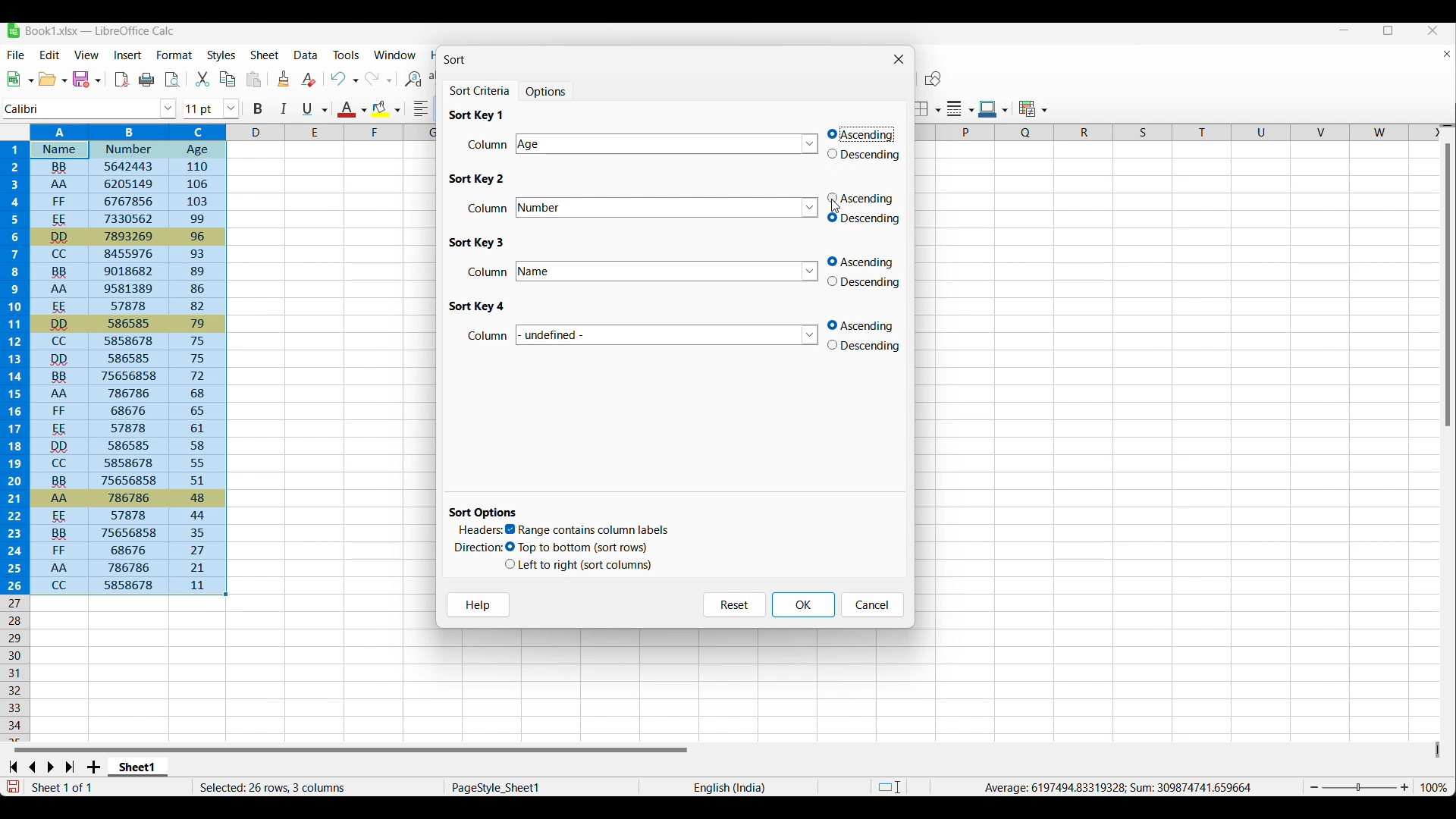  What do you see at coordinates (351, 108) in the screenshot?
I see `Current text color and other color options` at bounding box center [351, 108].